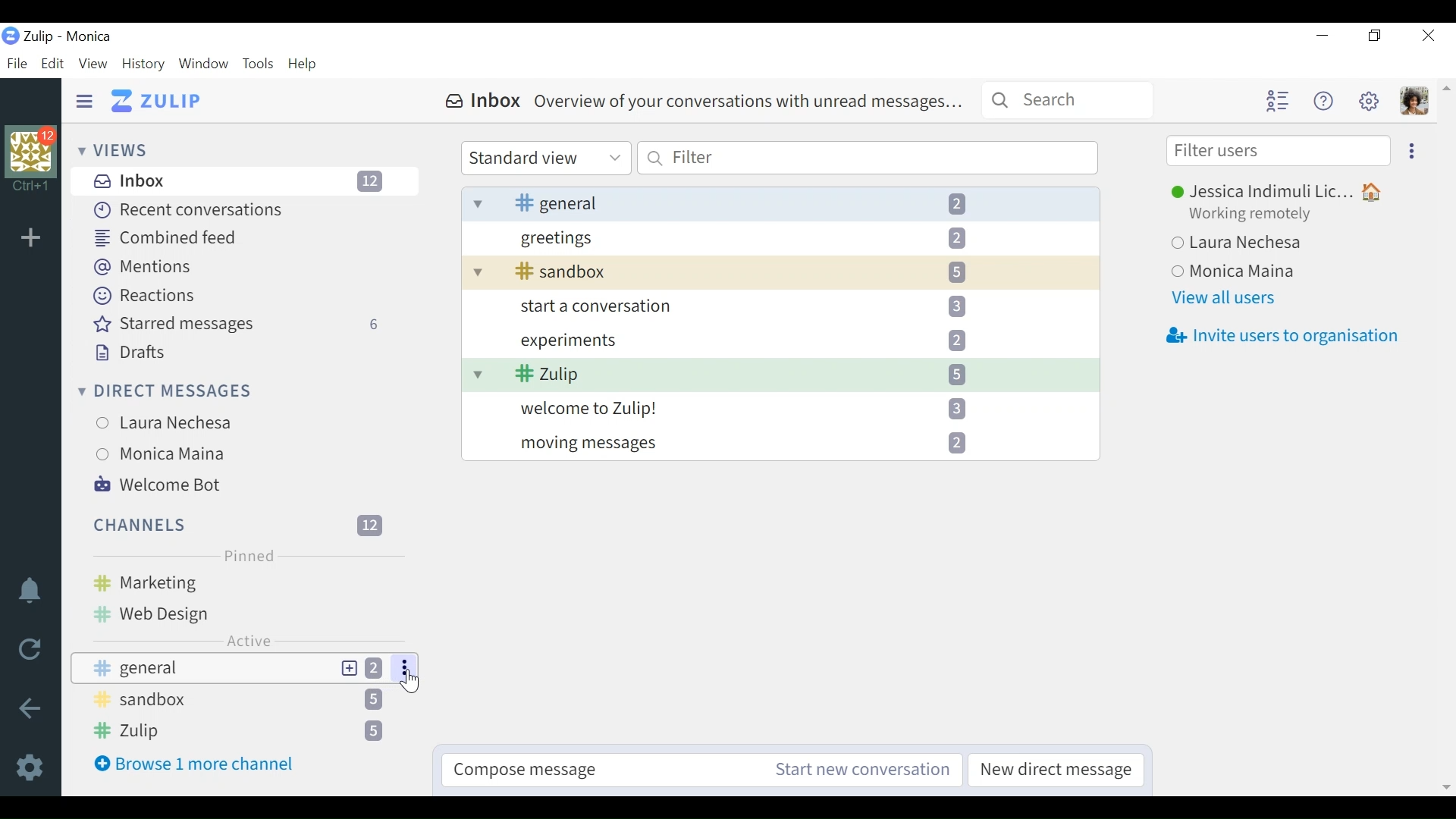  I want to click on Search, so click(1068, 99).